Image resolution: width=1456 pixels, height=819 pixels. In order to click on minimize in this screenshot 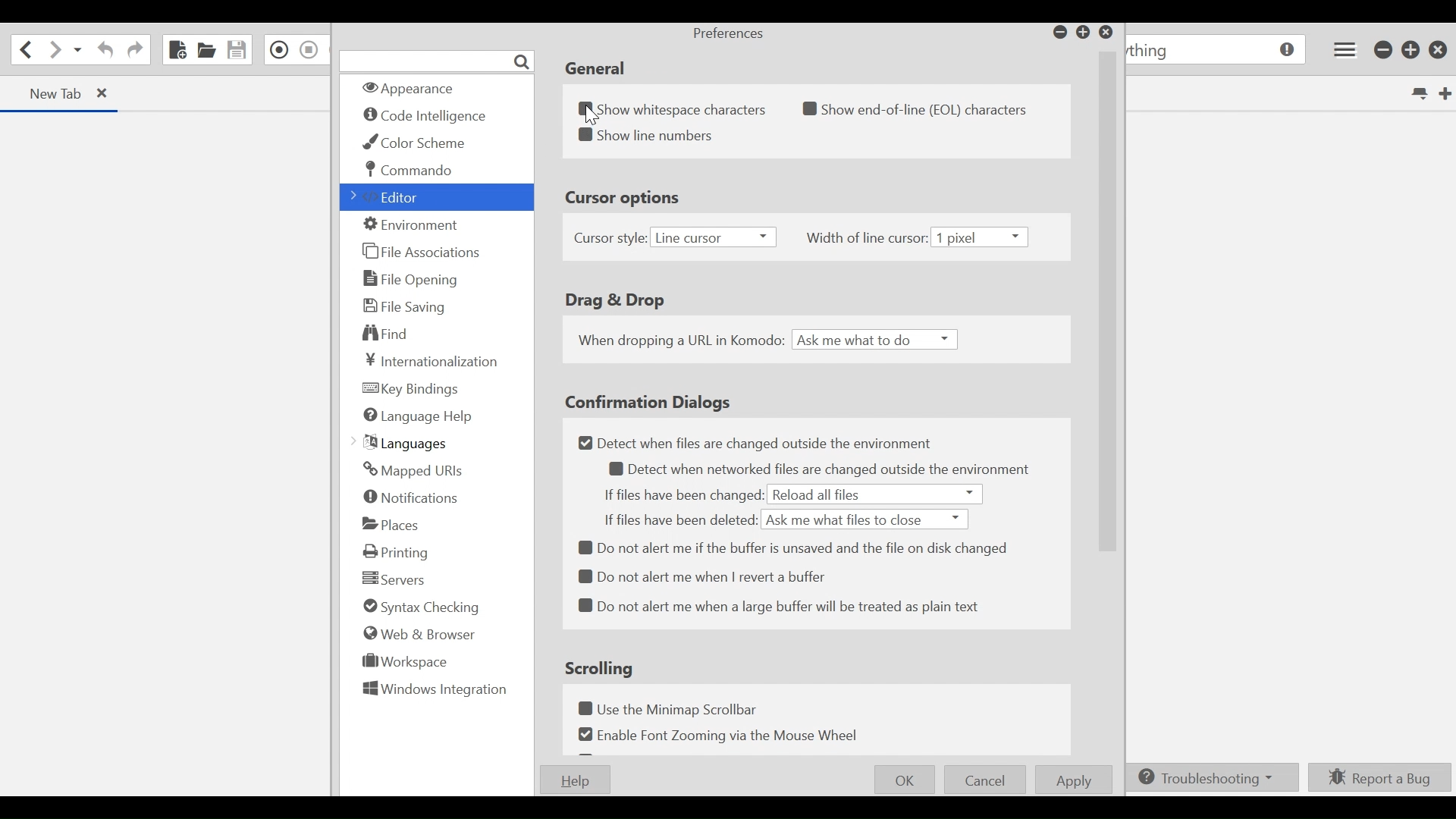, I will do `click(1385, 50)`.